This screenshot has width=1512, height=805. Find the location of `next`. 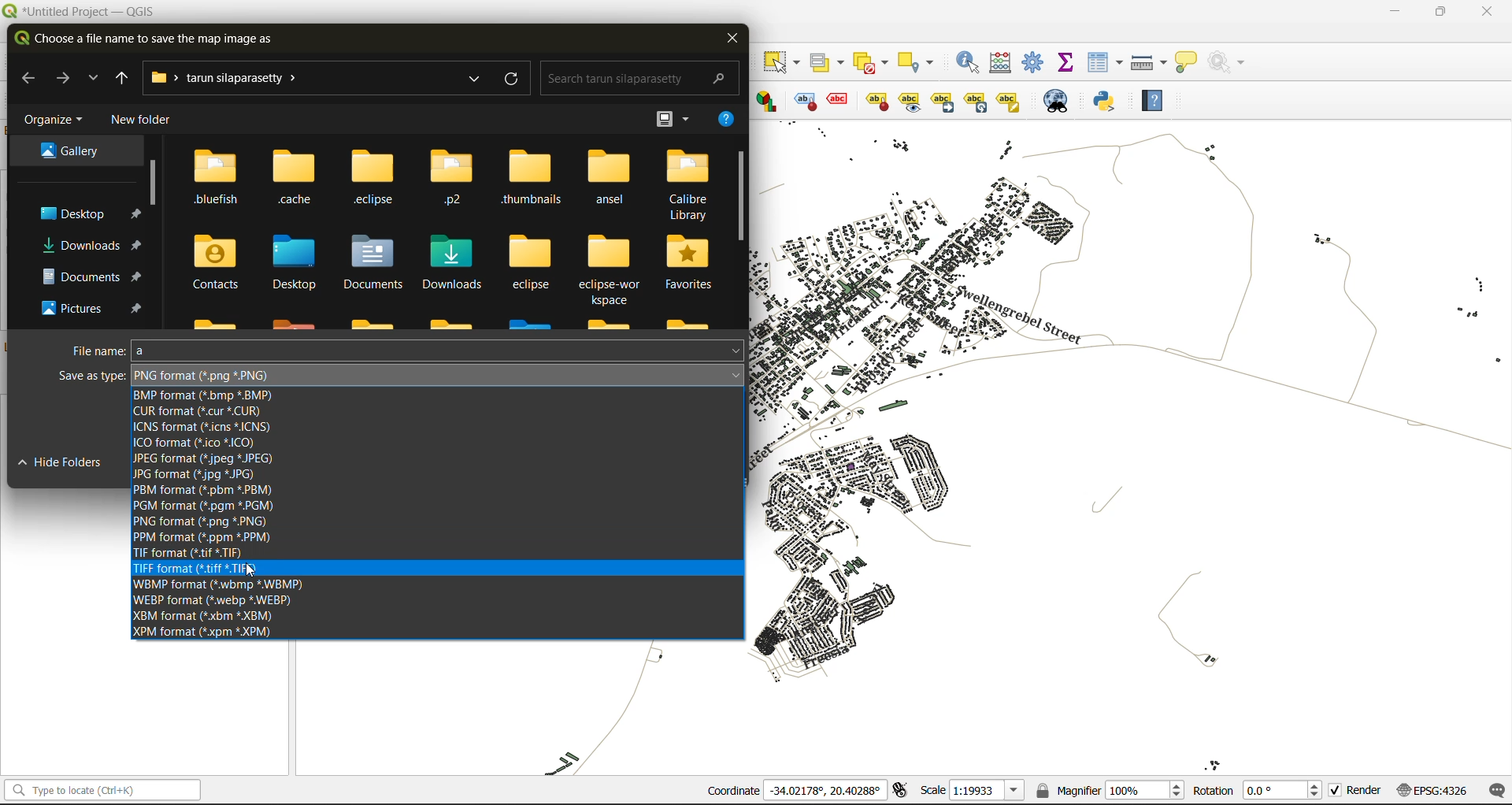

next is located at coordinates (66, 78).